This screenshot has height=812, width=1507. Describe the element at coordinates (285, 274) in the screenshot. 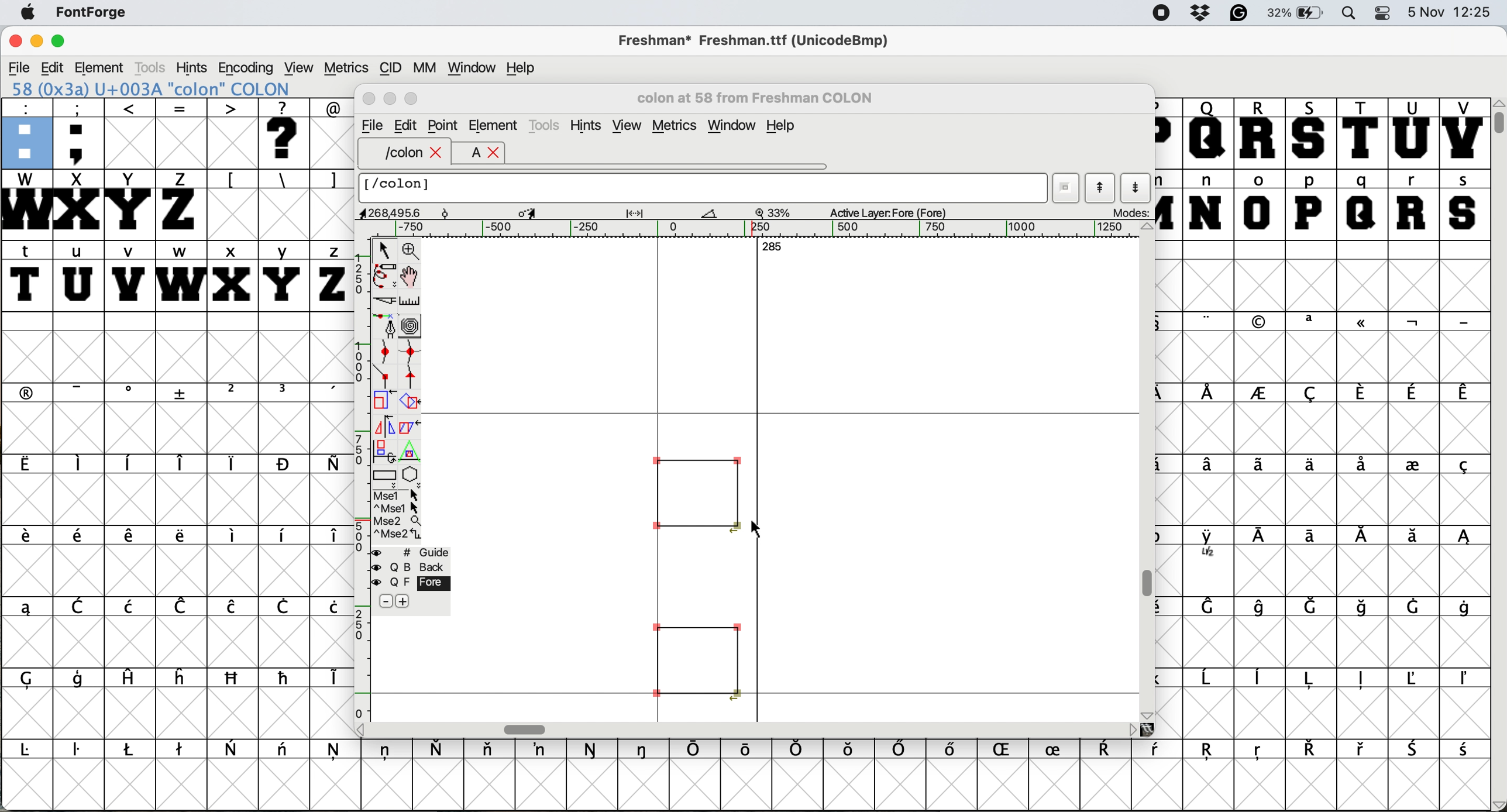

I see `y` at that location.